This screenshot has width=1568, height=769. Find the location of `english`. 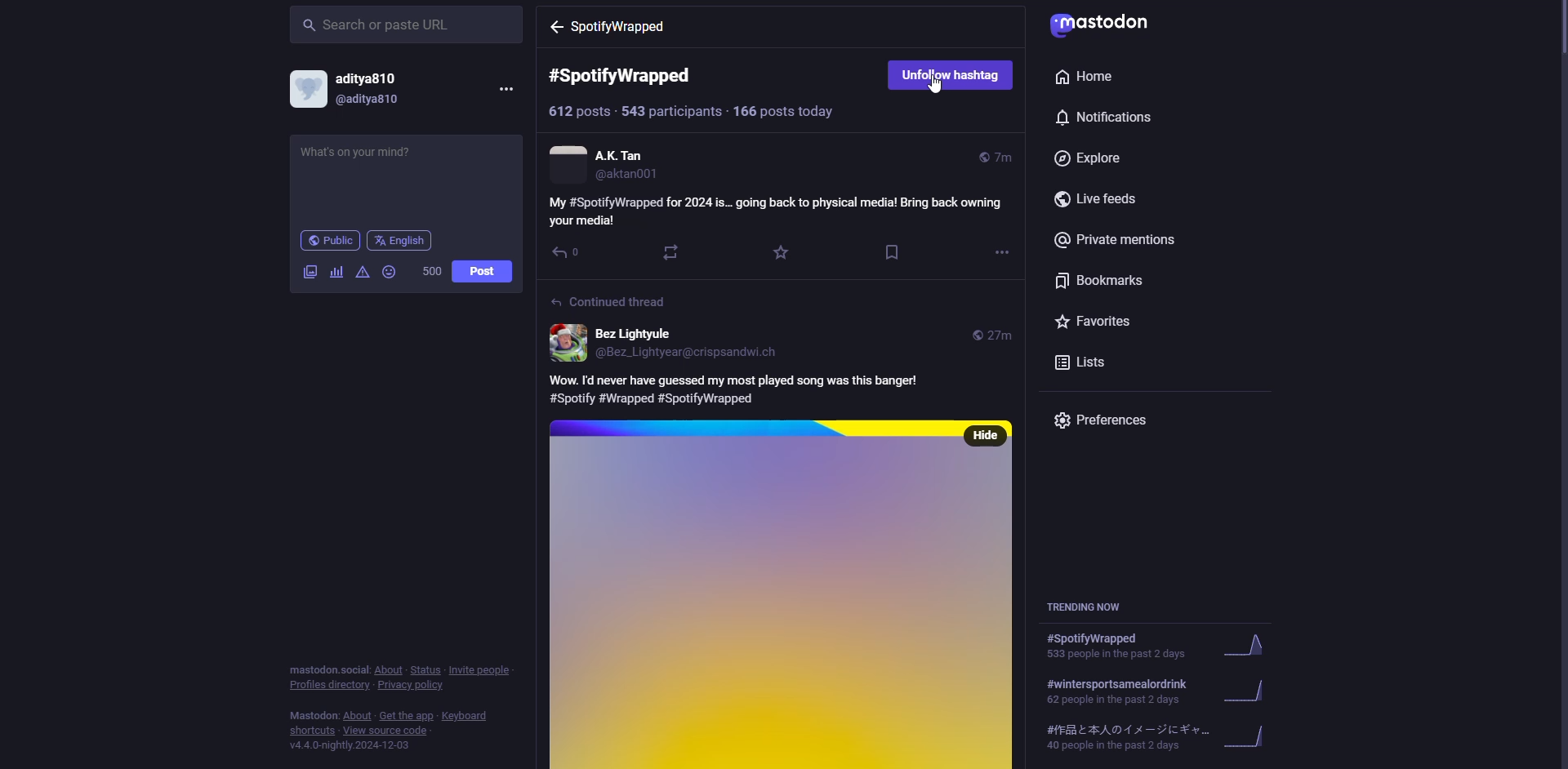

english is located at coordinates (403, 241).